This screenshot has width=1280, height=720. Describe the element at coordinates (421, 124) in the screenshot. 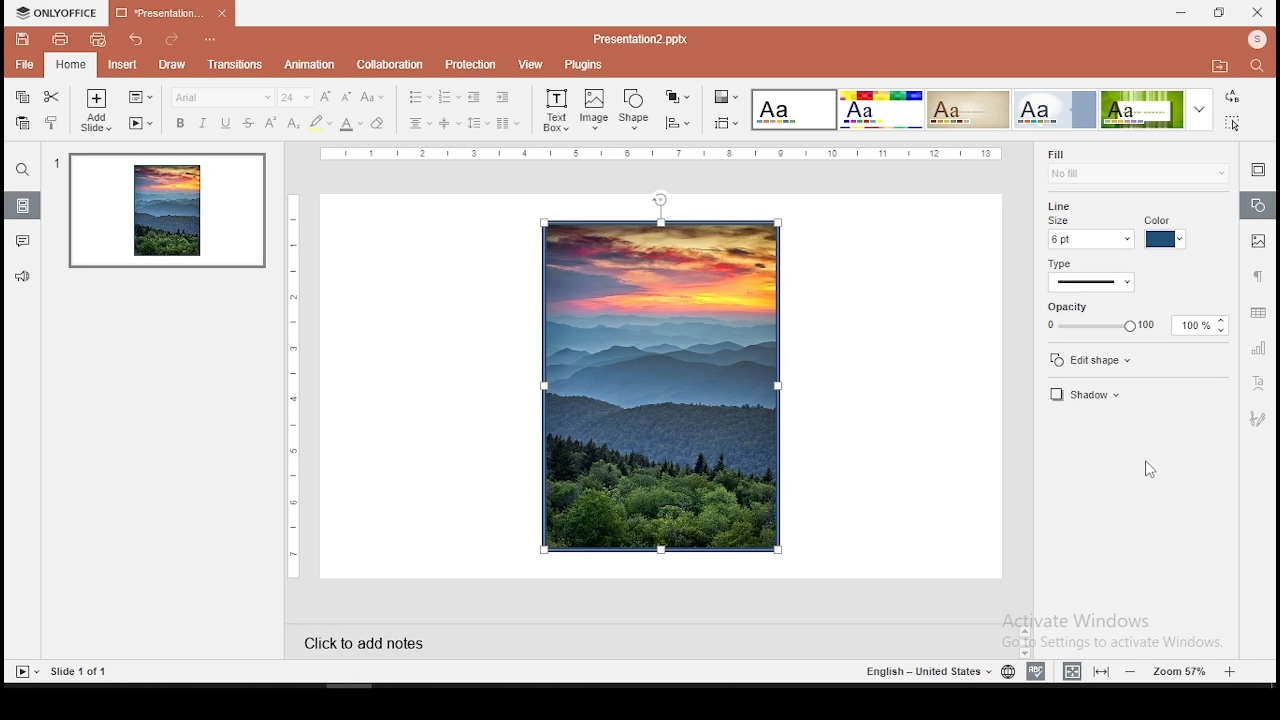

I see `horizontal align` at that location.